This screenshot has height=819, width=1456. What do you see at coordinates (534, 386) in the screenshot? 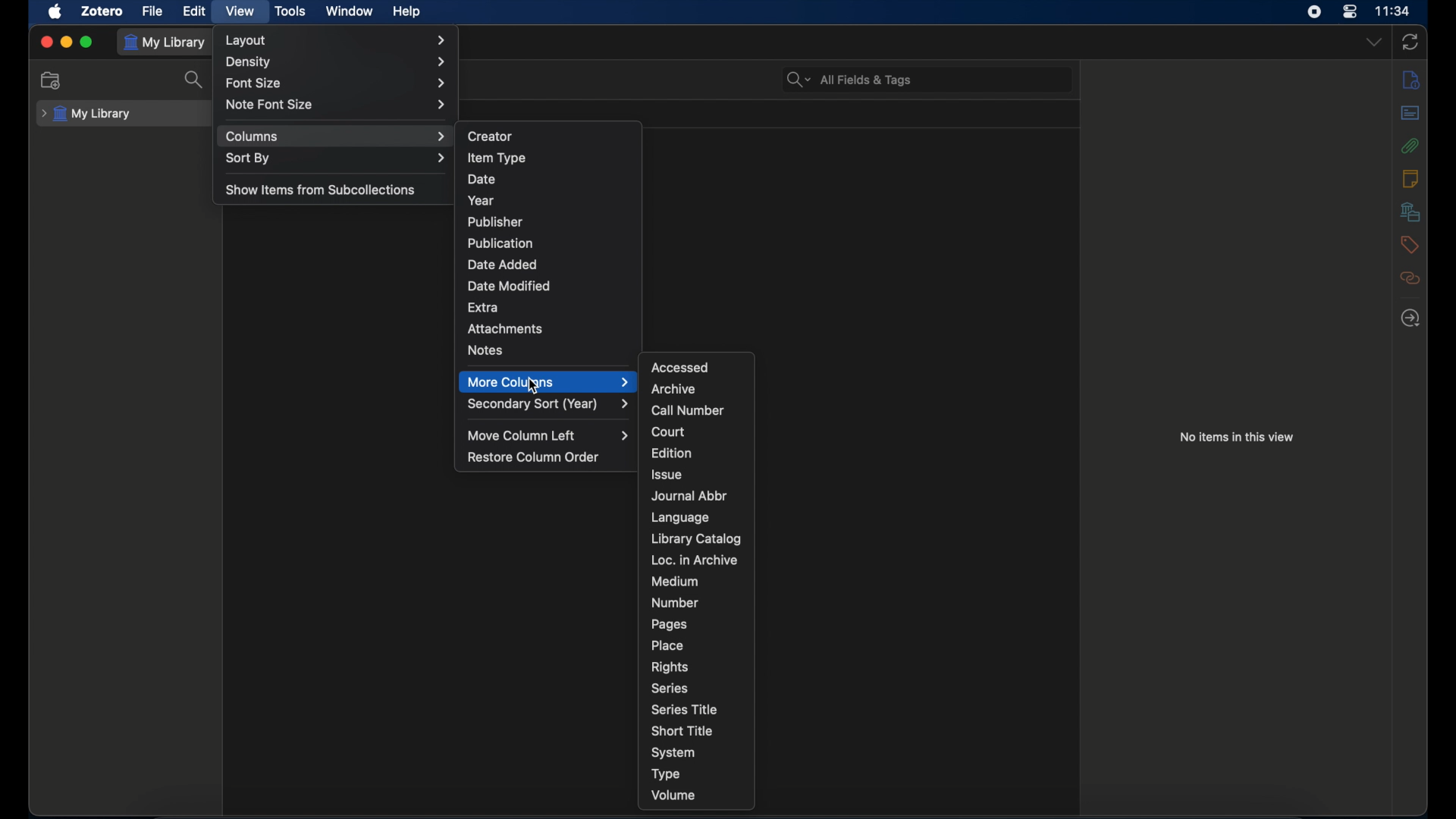
I see `cursor` at bounding box center [534, 386].